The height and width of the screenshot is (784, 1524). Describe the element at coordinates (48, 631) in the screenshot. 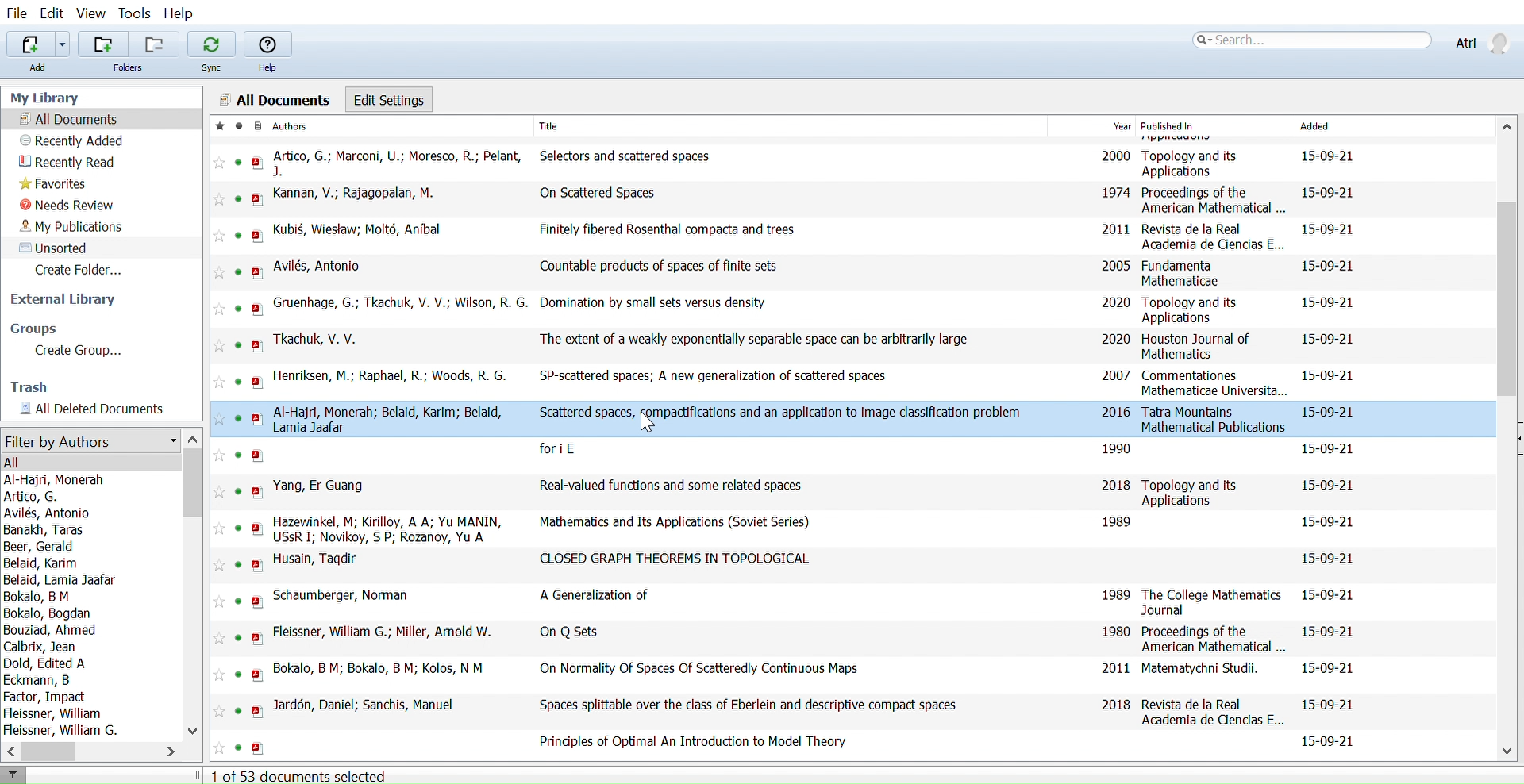

I see `Bouziad, Ahmed` at that location.